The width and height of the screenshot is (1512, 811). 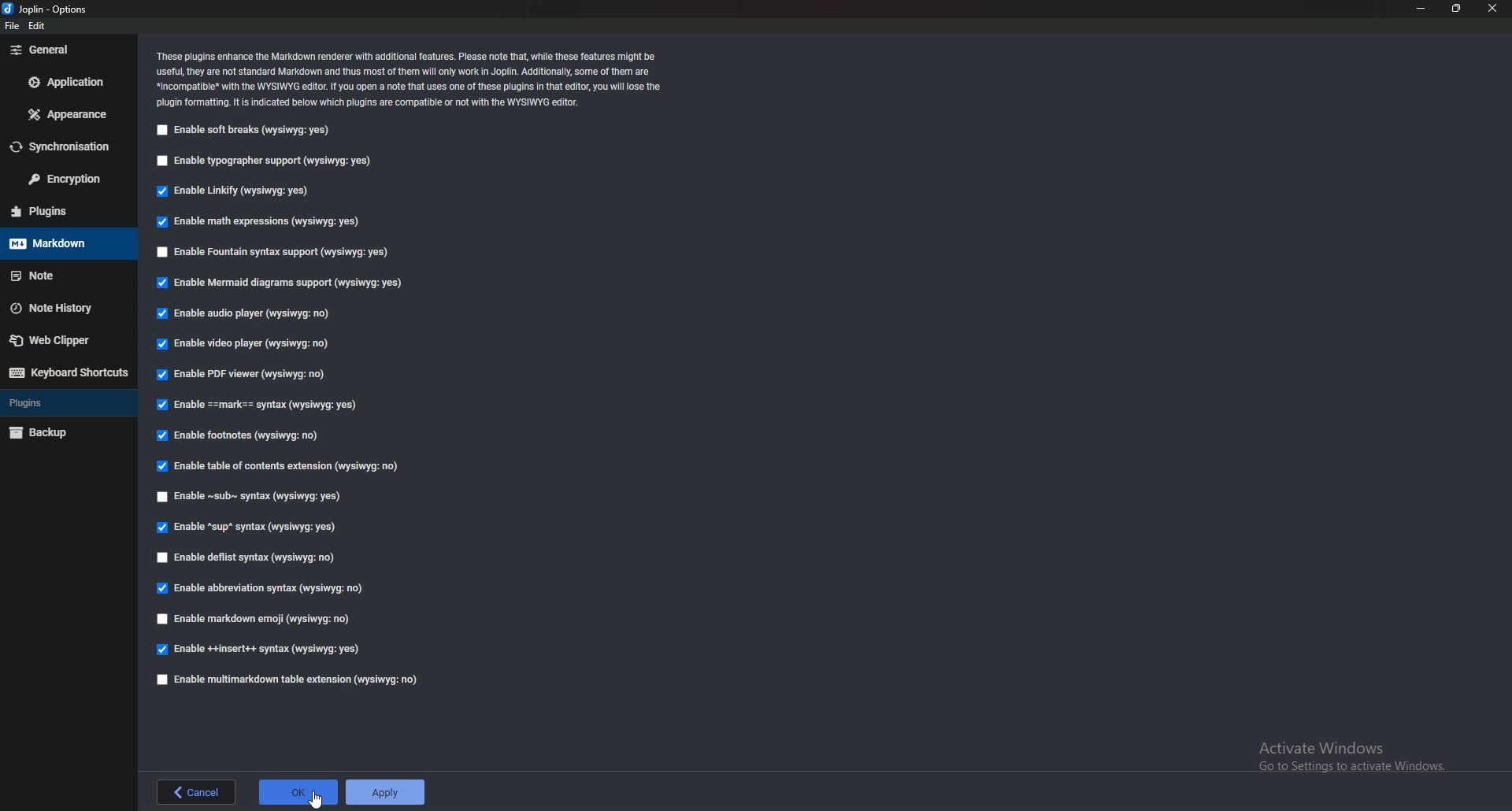 What do you see at coordinates (261, 650) in the screenshot?
I see `Enable ++insert++ syntax (wysiwyg: yes)` at bounding box center [261, 650].